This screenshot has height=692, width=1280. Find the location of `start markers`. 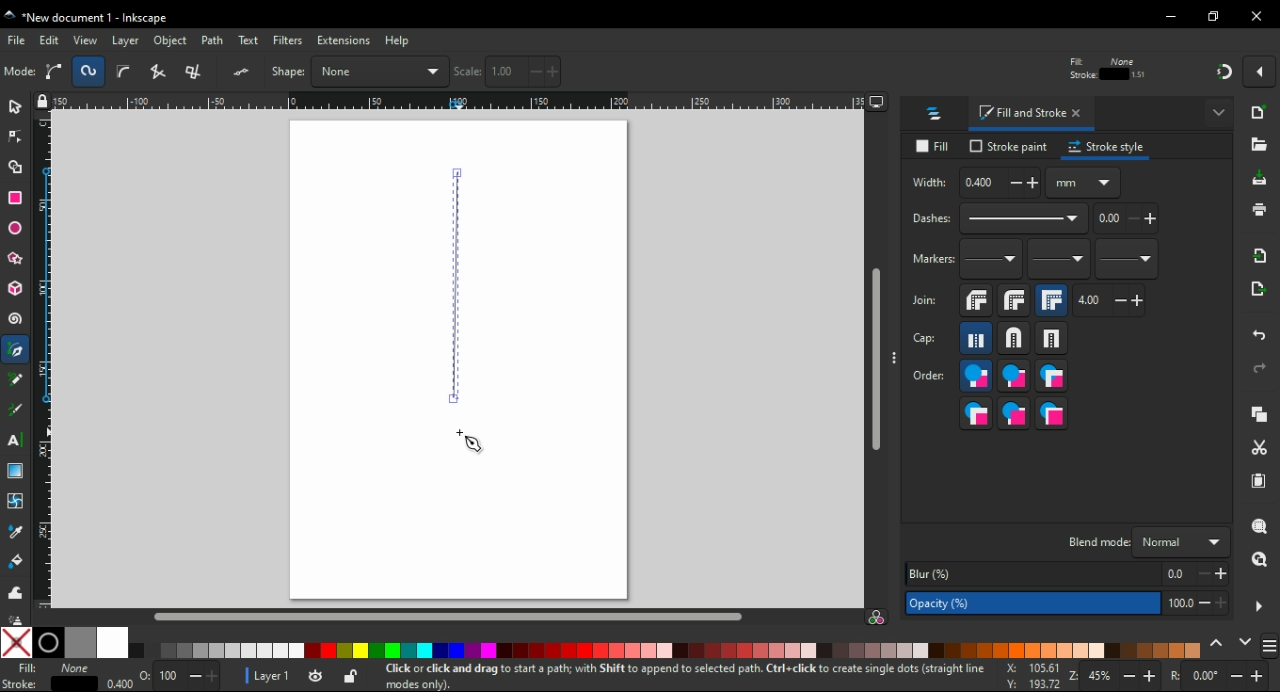

start markers is located at coordinates (991, 260).